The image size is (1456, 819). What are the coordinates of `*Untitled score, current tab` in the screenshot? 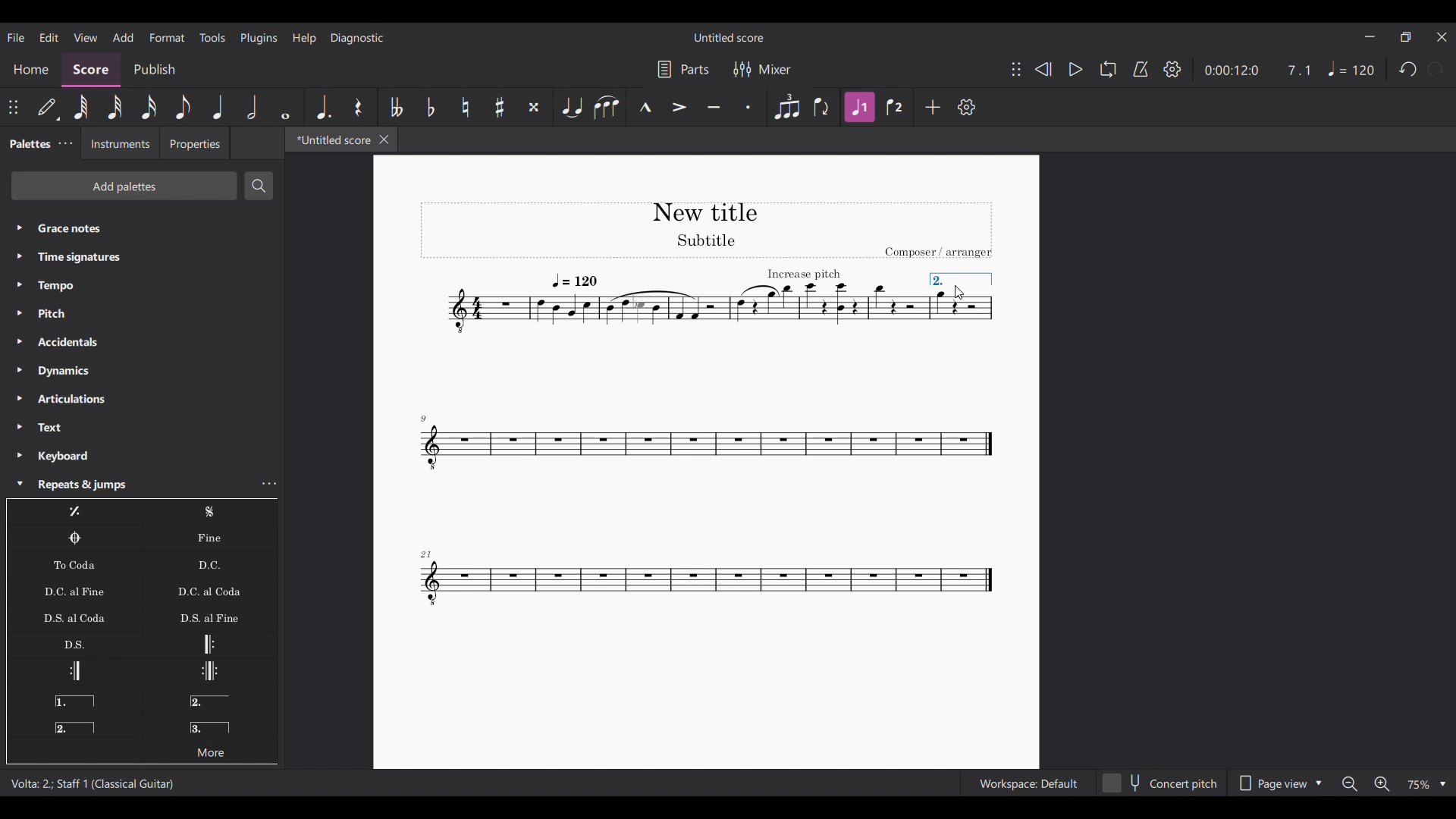 It's located at (331, 139).